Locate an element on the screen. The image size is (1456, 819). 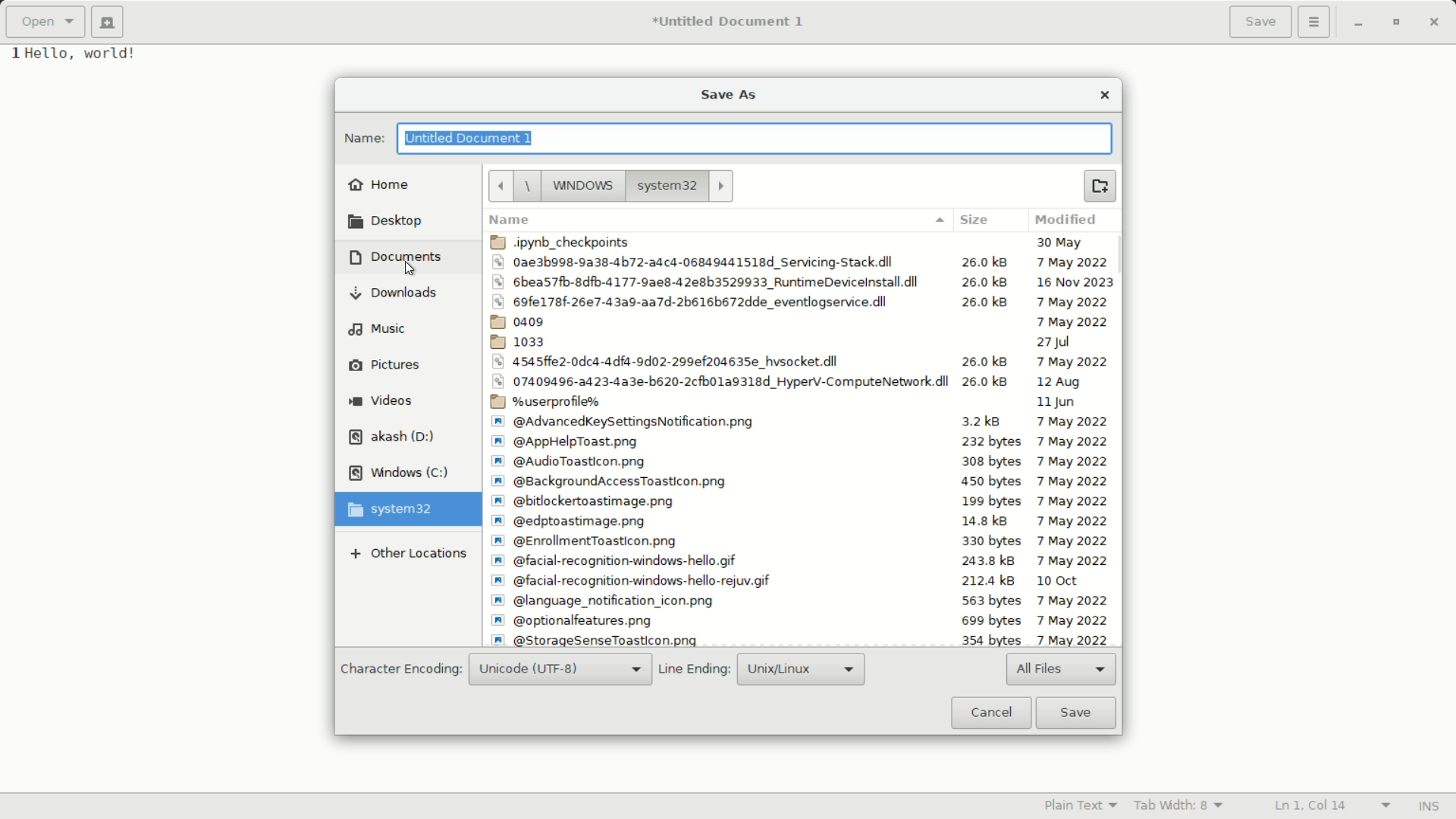
File is located at coordinates (799, 422).